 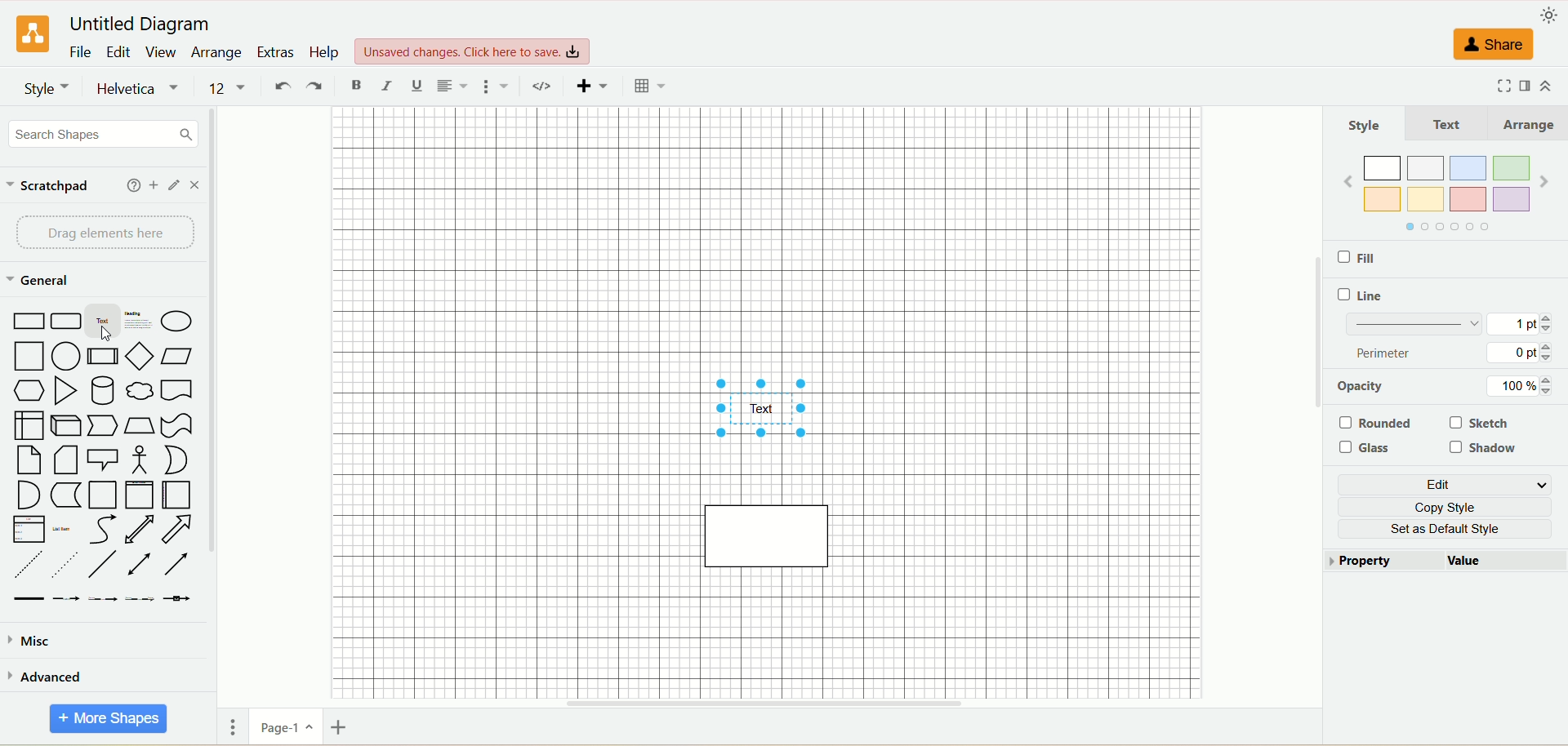 I want to click on vertical container, so click(x=139, y=494).